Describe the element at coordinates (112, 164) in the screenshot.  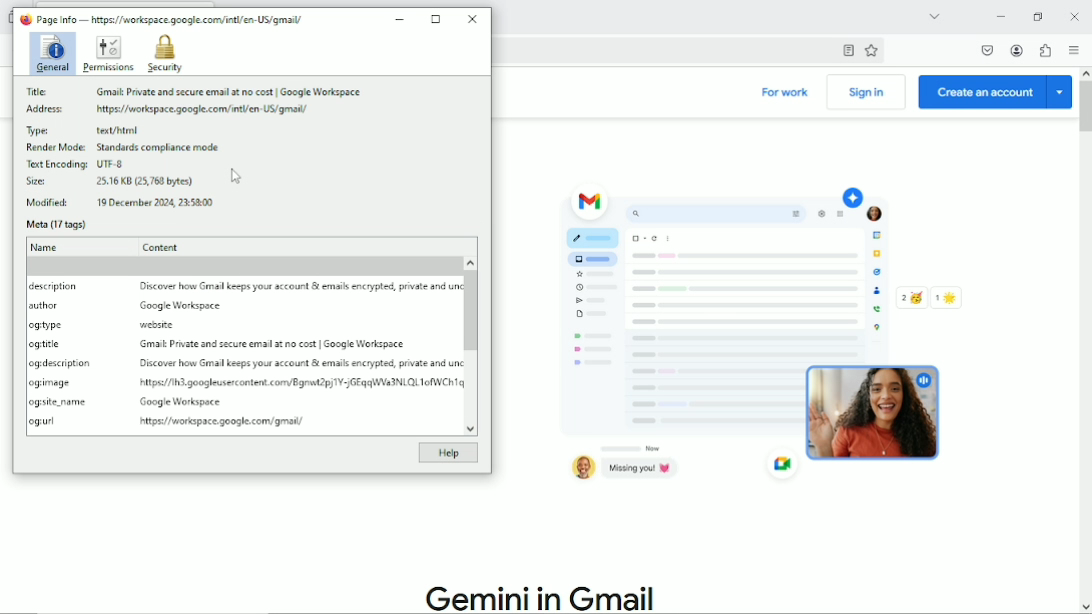
I see `UTF-8` at that location.